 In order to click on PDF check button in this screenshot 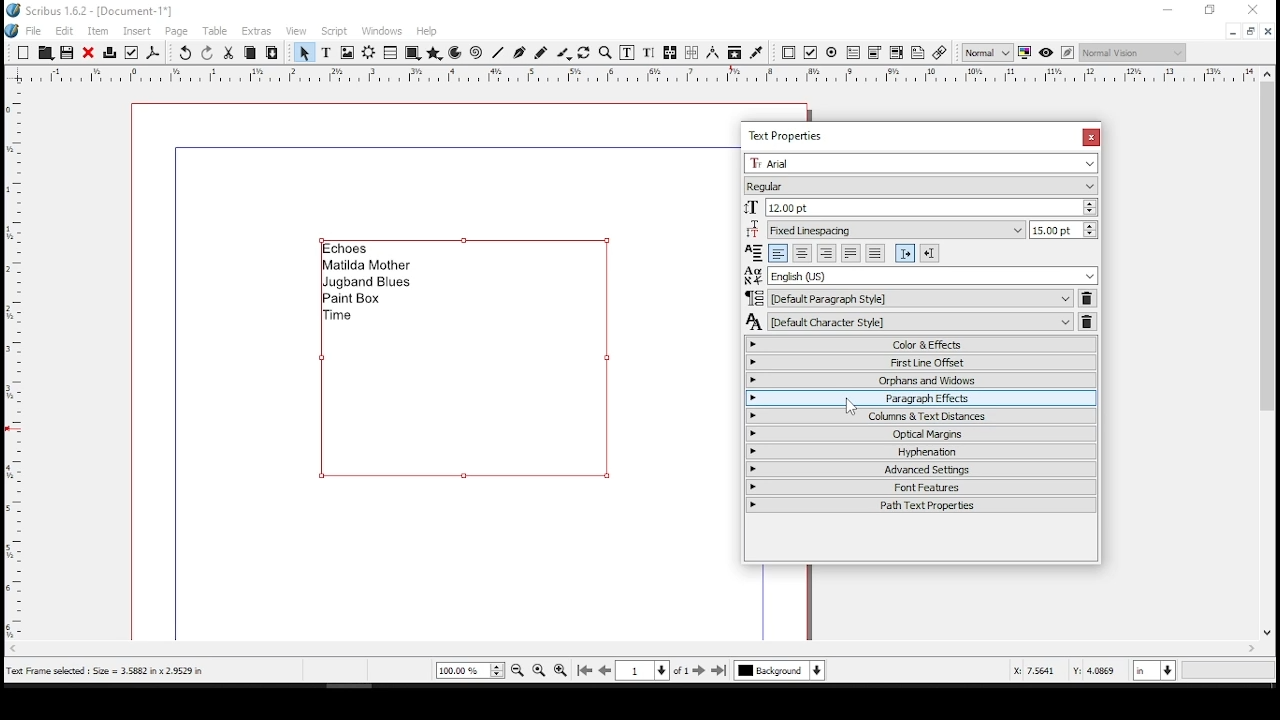, I will do `click(811, 53)`.